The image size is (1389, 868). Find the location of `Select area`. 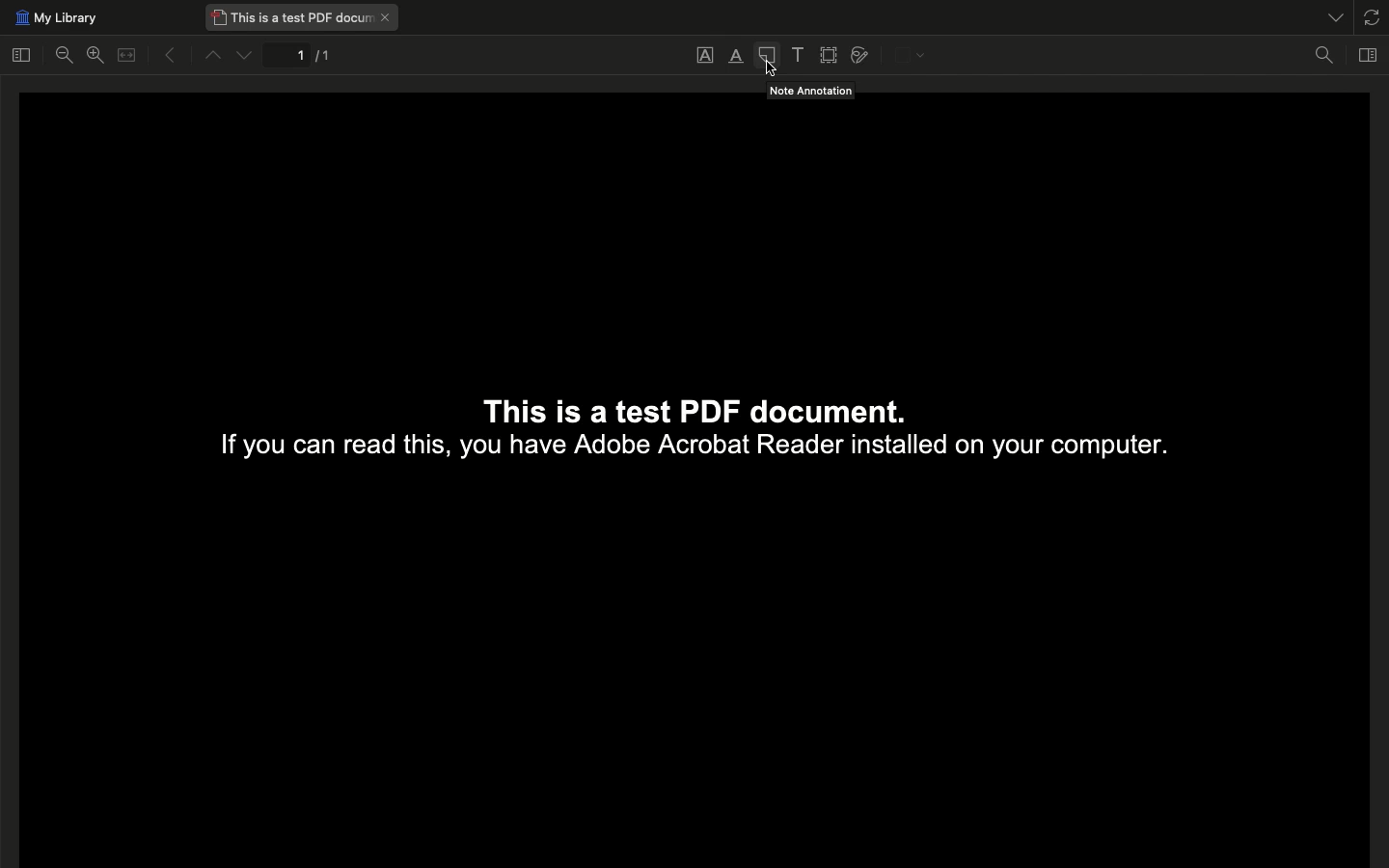

Select area is located at coordinates (831, 56).